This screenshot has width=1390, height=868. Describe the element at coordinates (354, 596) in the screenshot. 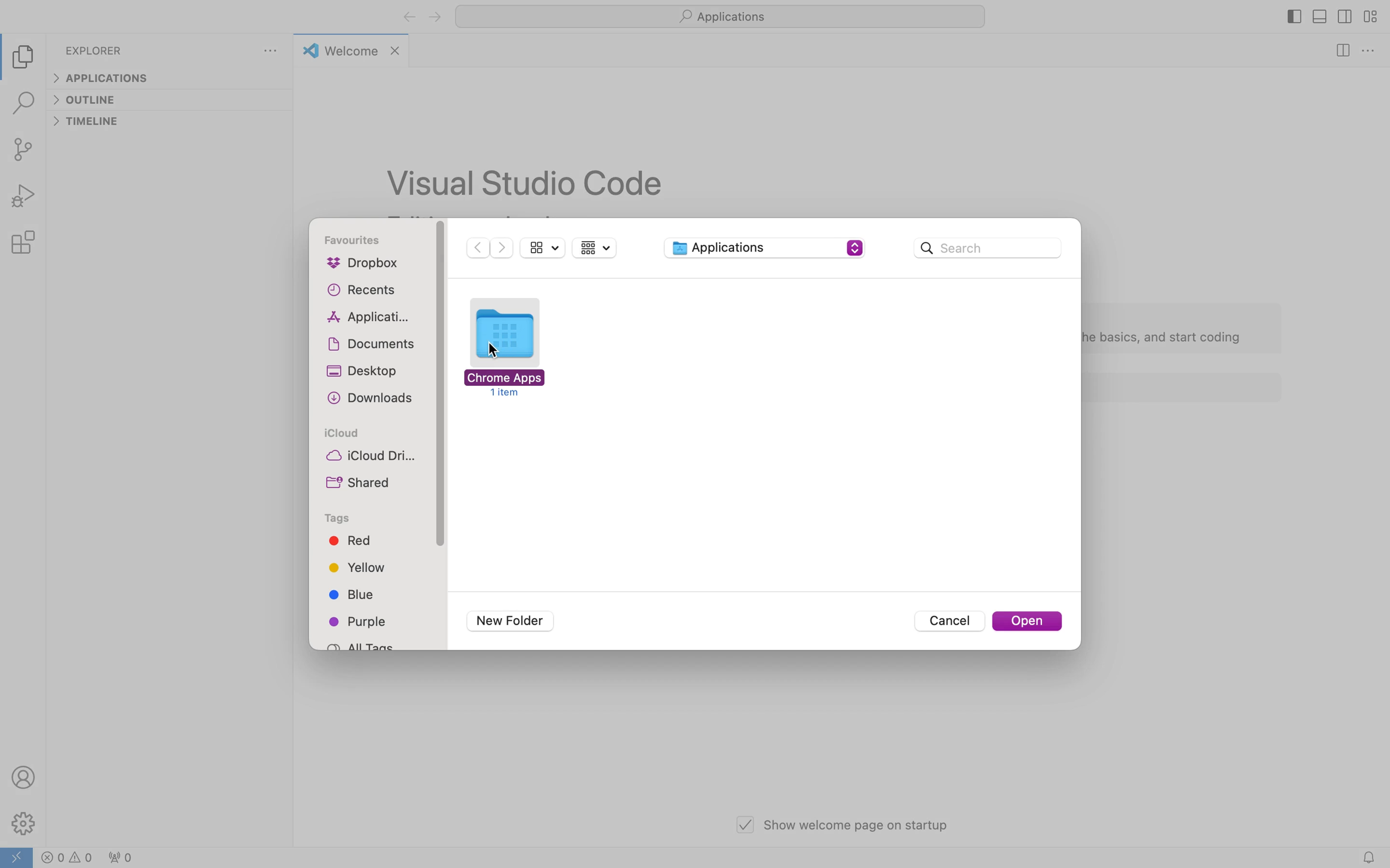

I see `blue` at that location.